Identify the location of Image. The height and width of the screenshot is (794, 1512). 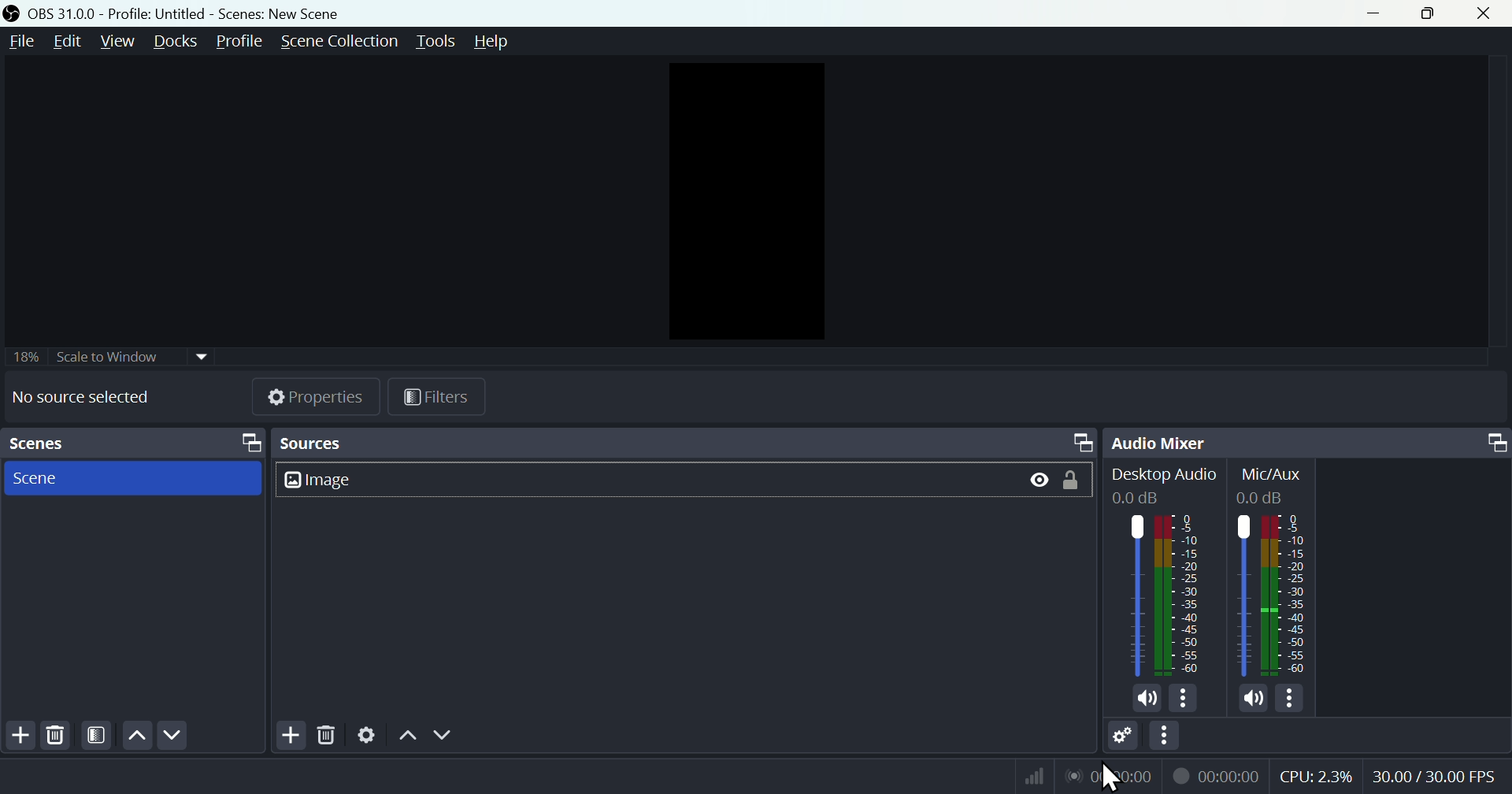
(343, 480).